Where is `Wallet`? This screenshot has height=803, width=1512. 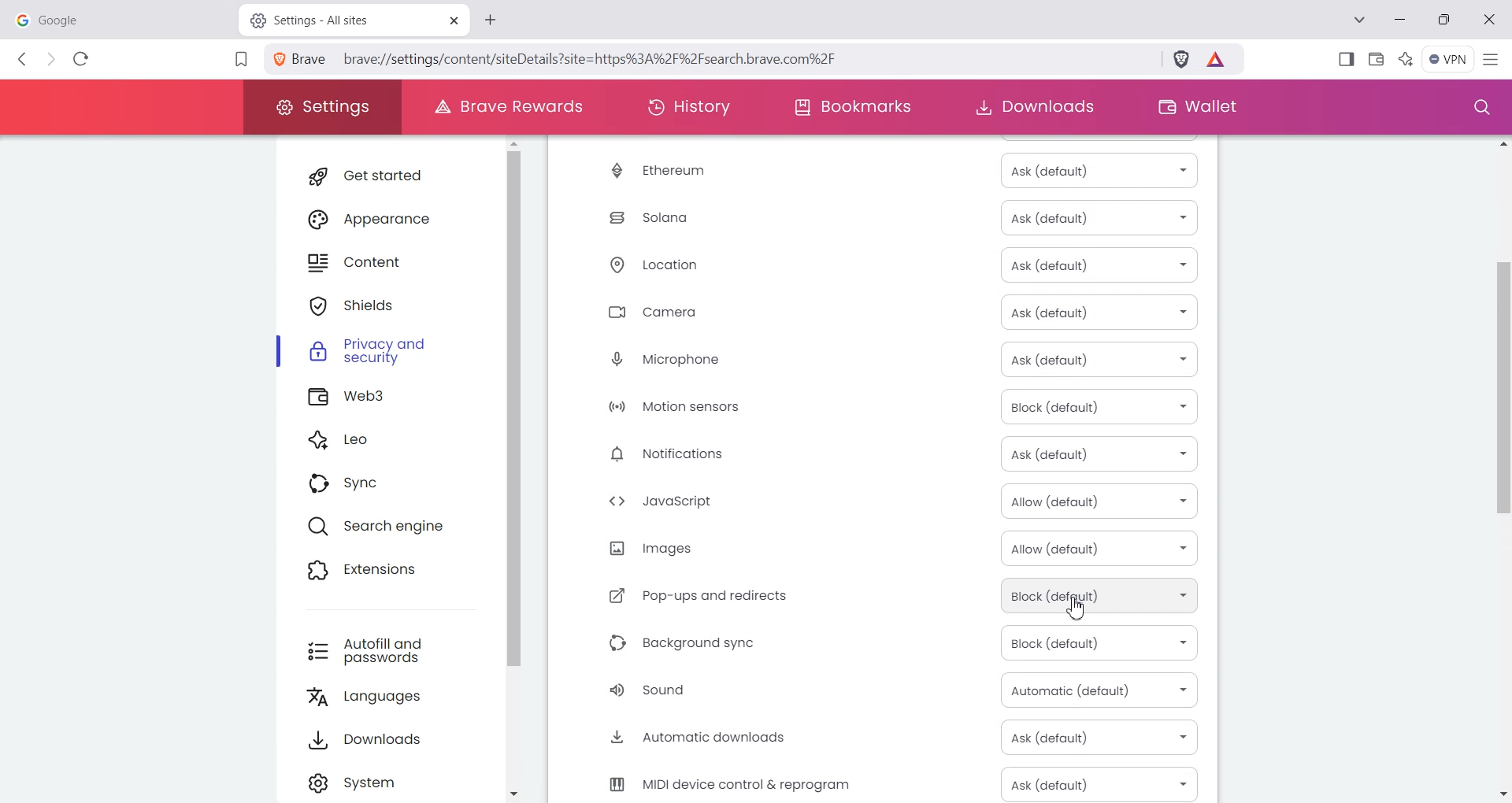
Wallet is located at coordinates (1377, 57).